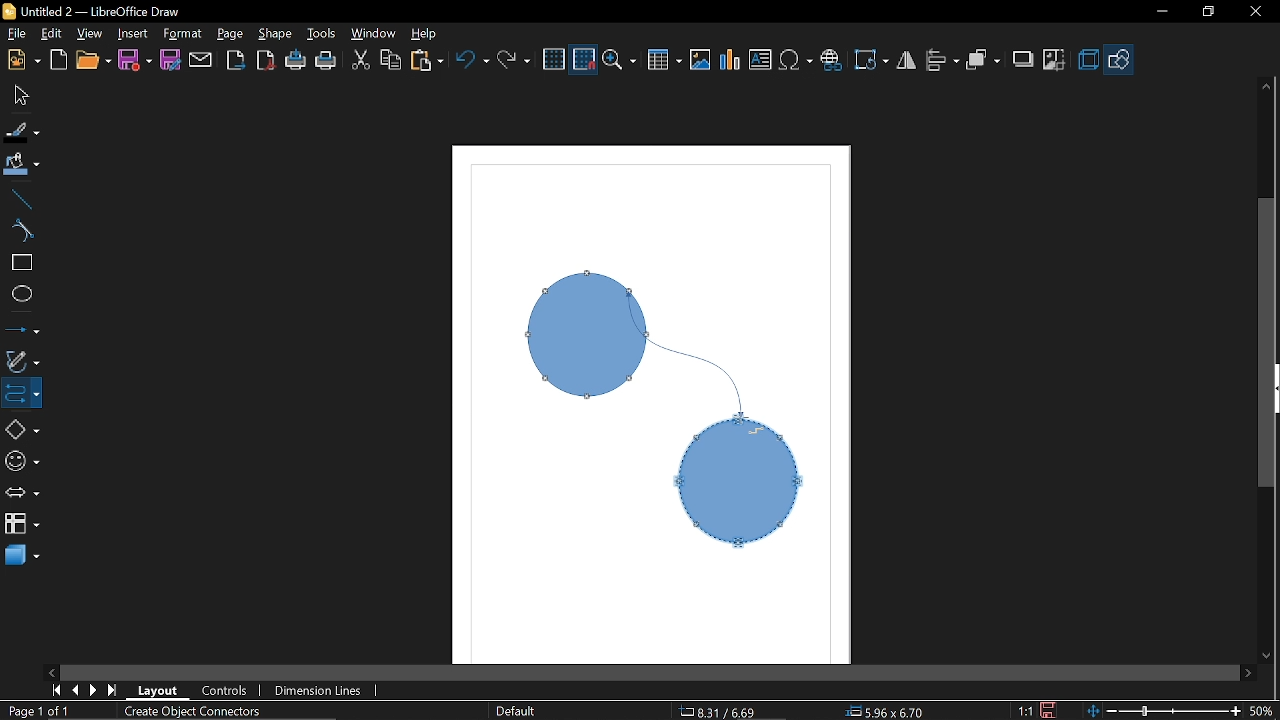 The height and width of the screenshot is (720, 1280). What do you see at coordinates (730, 711) in the screenshot?
I see `CO-ordinates` at bounding box center [730, 711].